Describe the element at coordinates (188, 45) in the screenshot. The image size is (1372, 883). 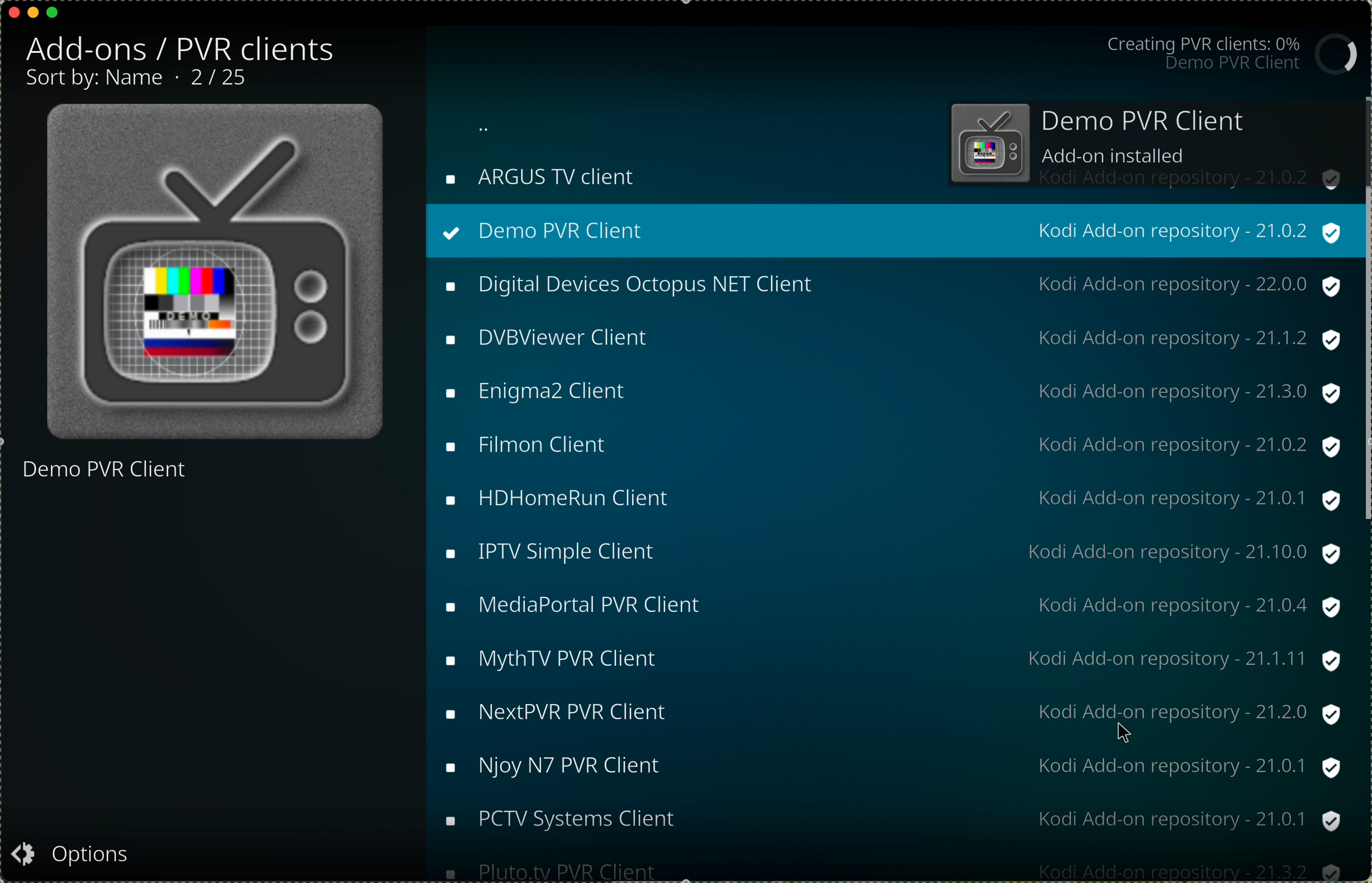
I see `Add-ons / PVR client` at that location.